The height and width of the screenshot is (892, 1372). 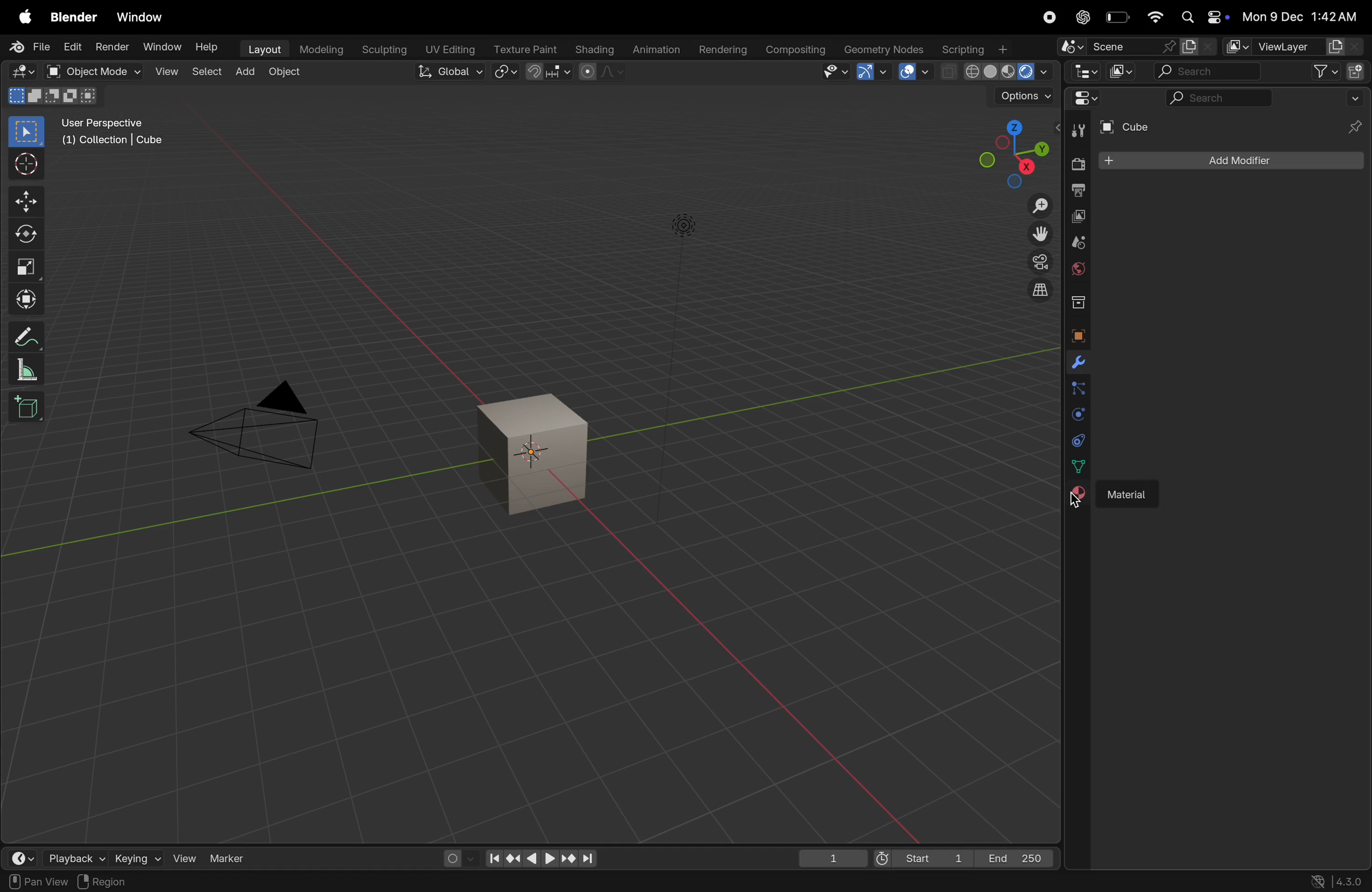 I want to click on apple menu, so click(x=22, y=16).